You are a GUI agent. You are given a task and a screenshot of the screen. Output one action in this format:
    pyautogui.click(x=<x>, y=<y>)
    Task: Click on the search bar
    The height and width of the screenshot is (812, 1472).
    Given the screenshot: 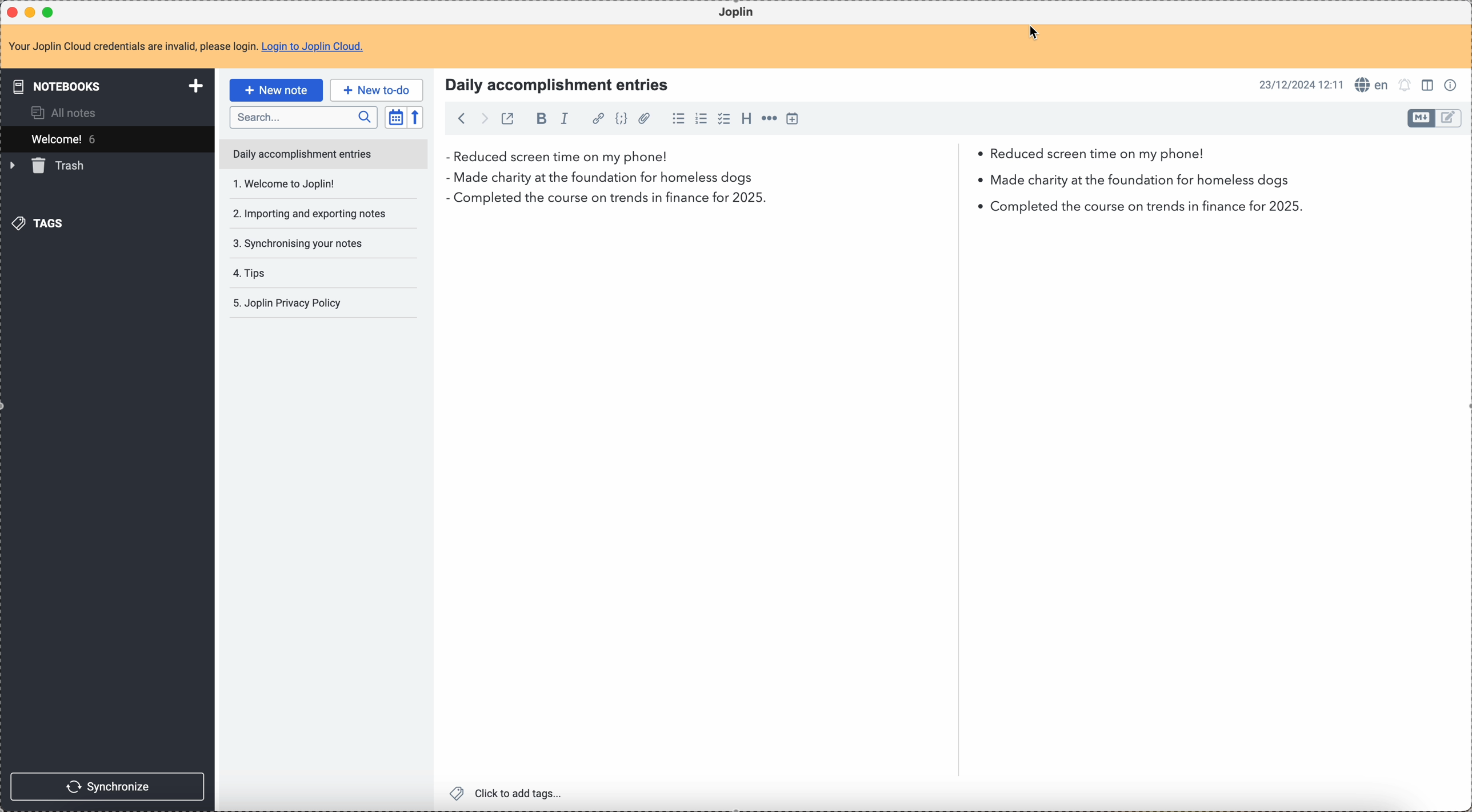 What is the action you would take?
    pyautogui.click(x=303, y=116)
    